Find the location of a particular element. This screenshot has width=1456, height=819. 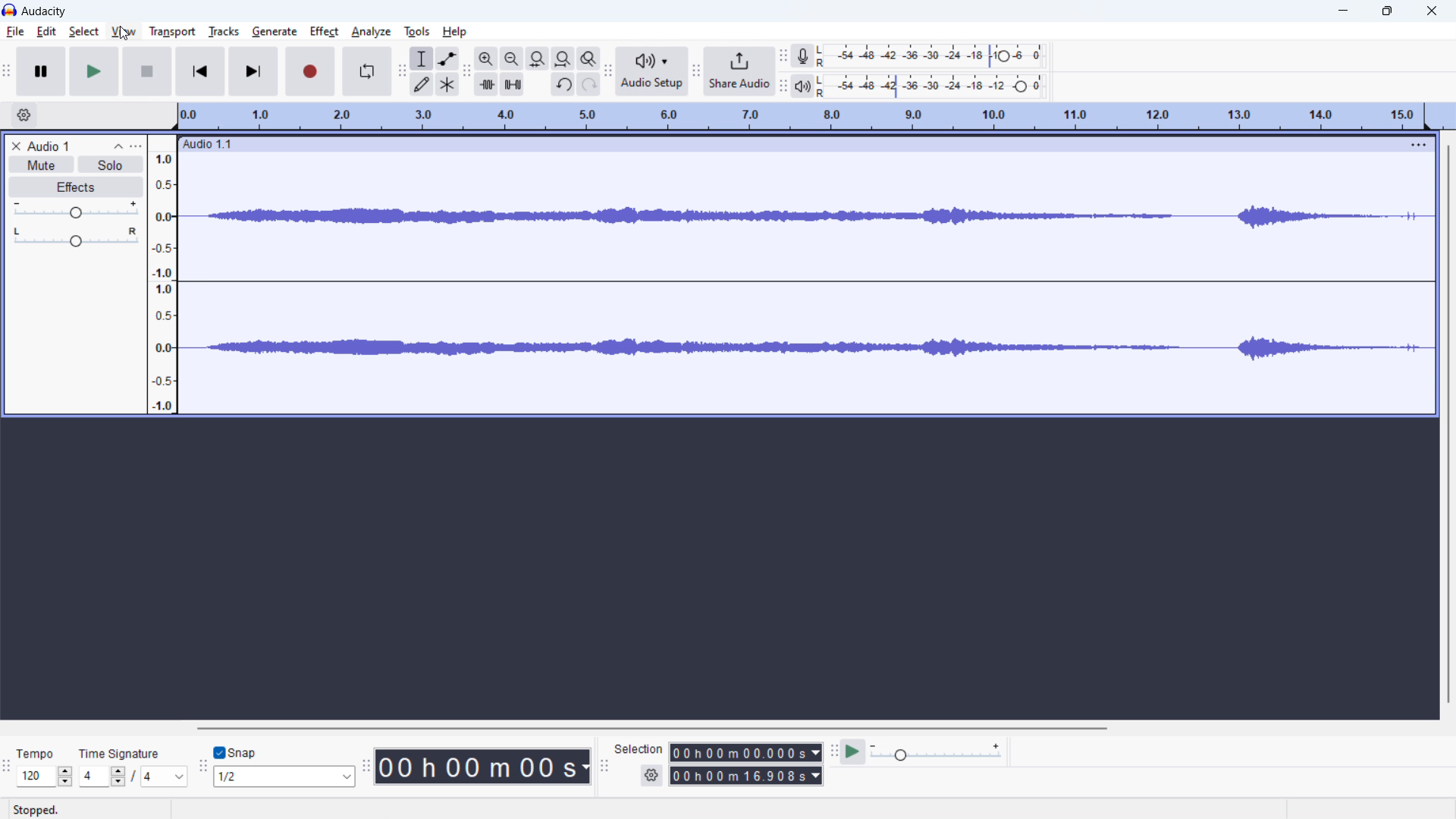

set time signature is located at coordinates (133, 776).